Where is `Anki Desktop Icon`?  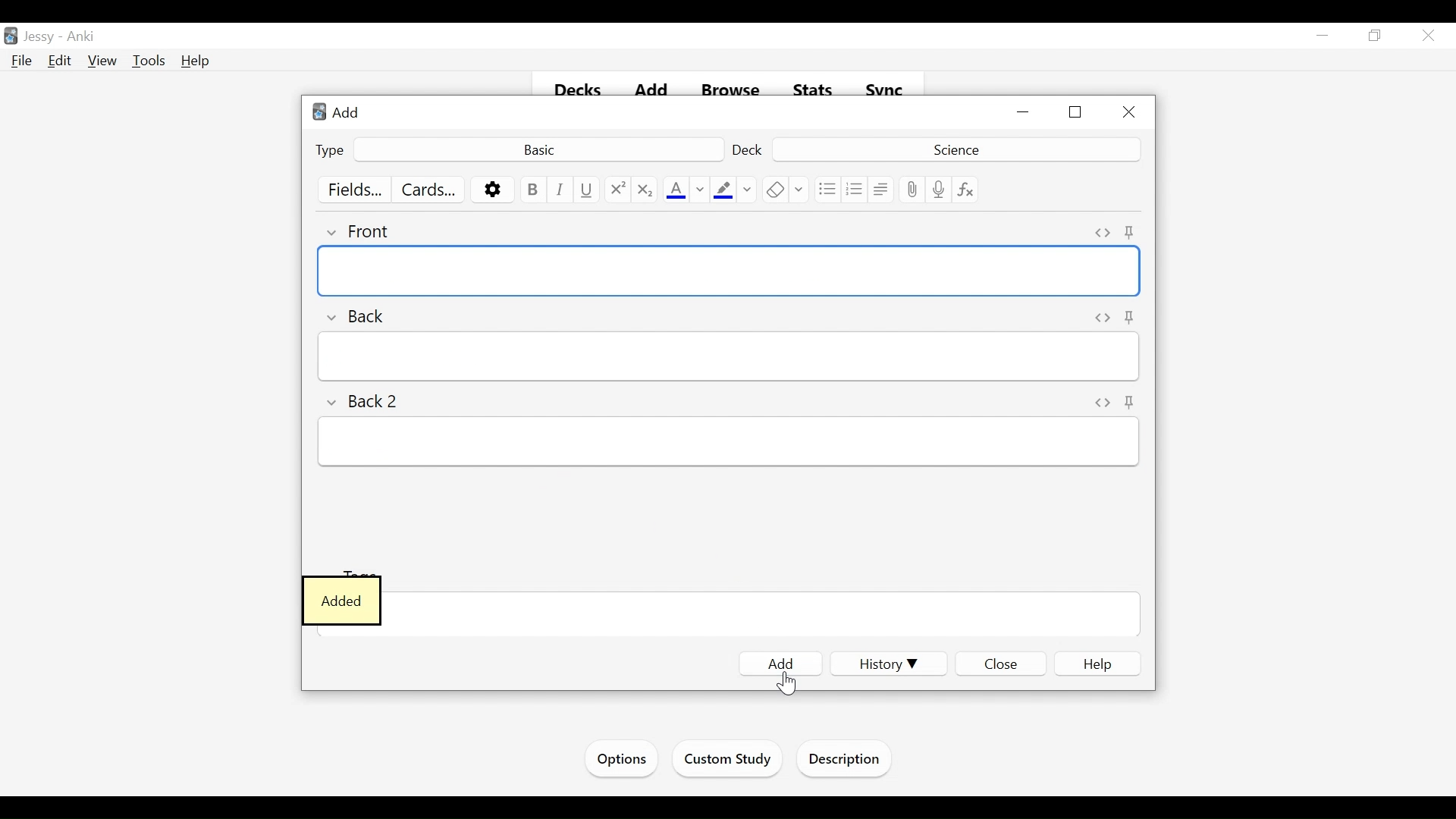
Anki Desktop Icon is located at coordinates (11, 36).